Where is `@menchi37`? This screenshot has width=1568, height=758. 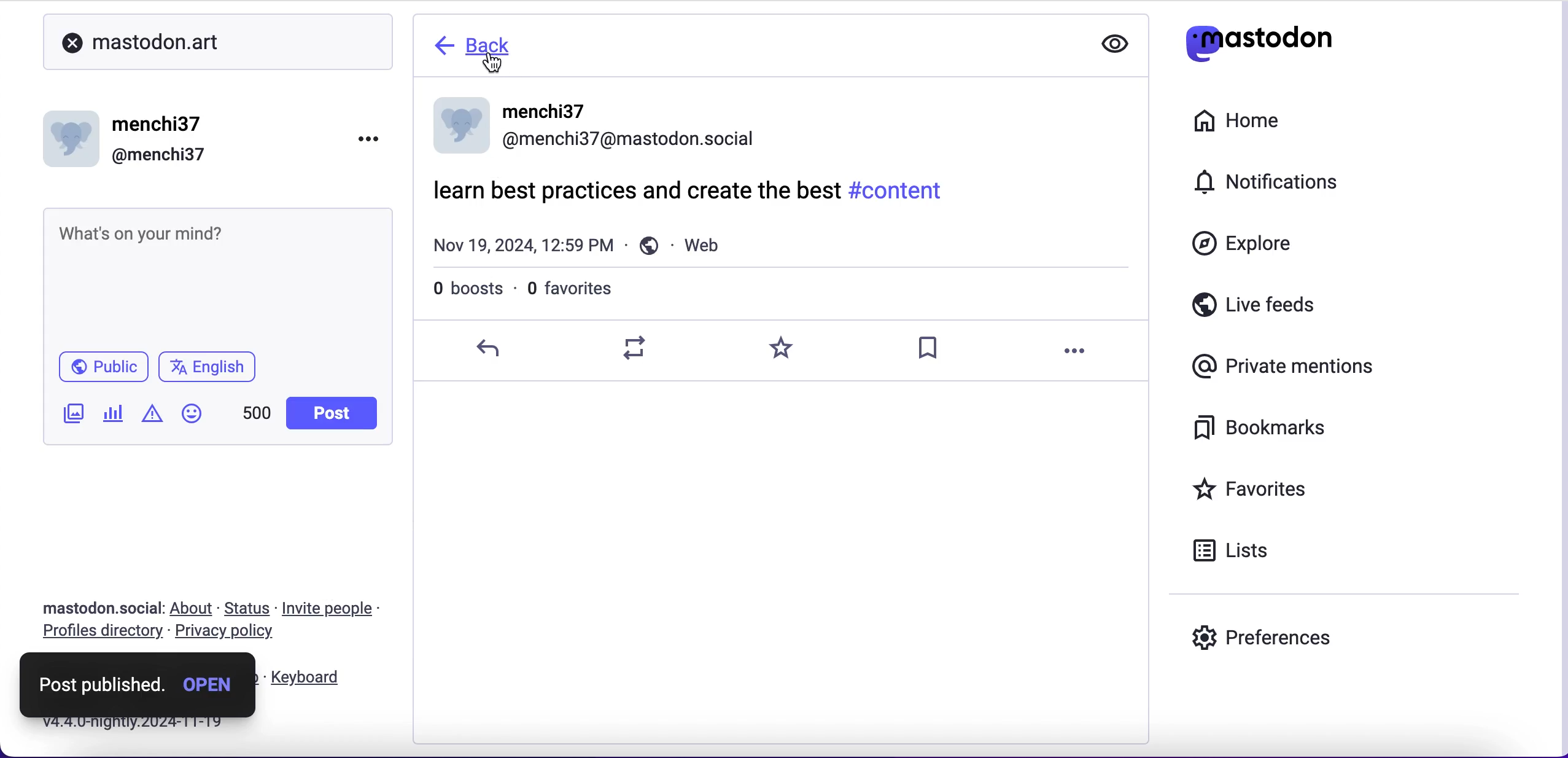
@menchi37 is located at coordinates (629, 144).